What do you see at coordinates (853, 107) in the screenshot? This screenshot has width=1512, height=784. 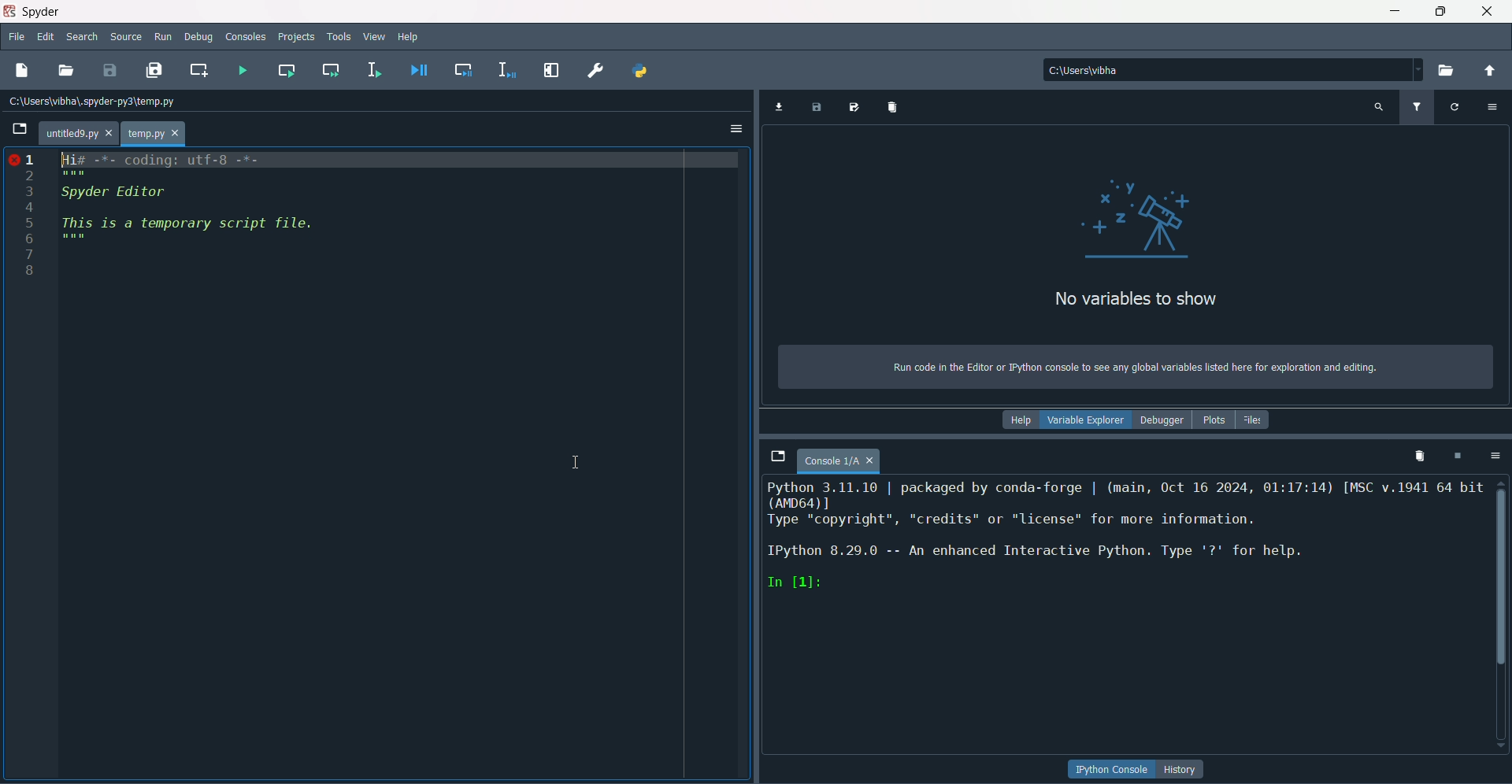 I see `save data as` at bounding box center [853, 107].